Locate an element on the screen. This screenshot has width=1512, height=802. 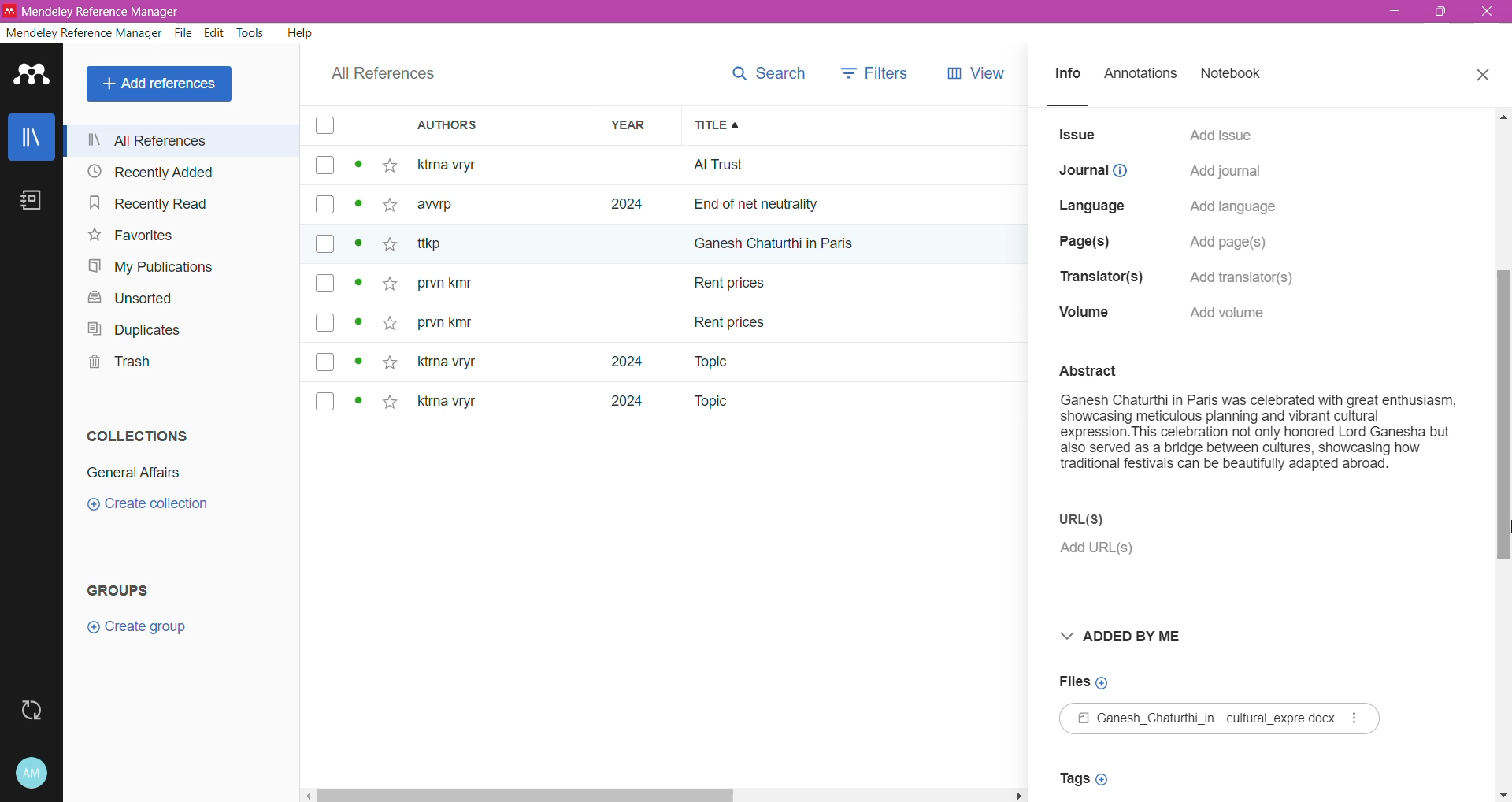
Horizontal Scroll Bar is located at coordinates (667, 796).